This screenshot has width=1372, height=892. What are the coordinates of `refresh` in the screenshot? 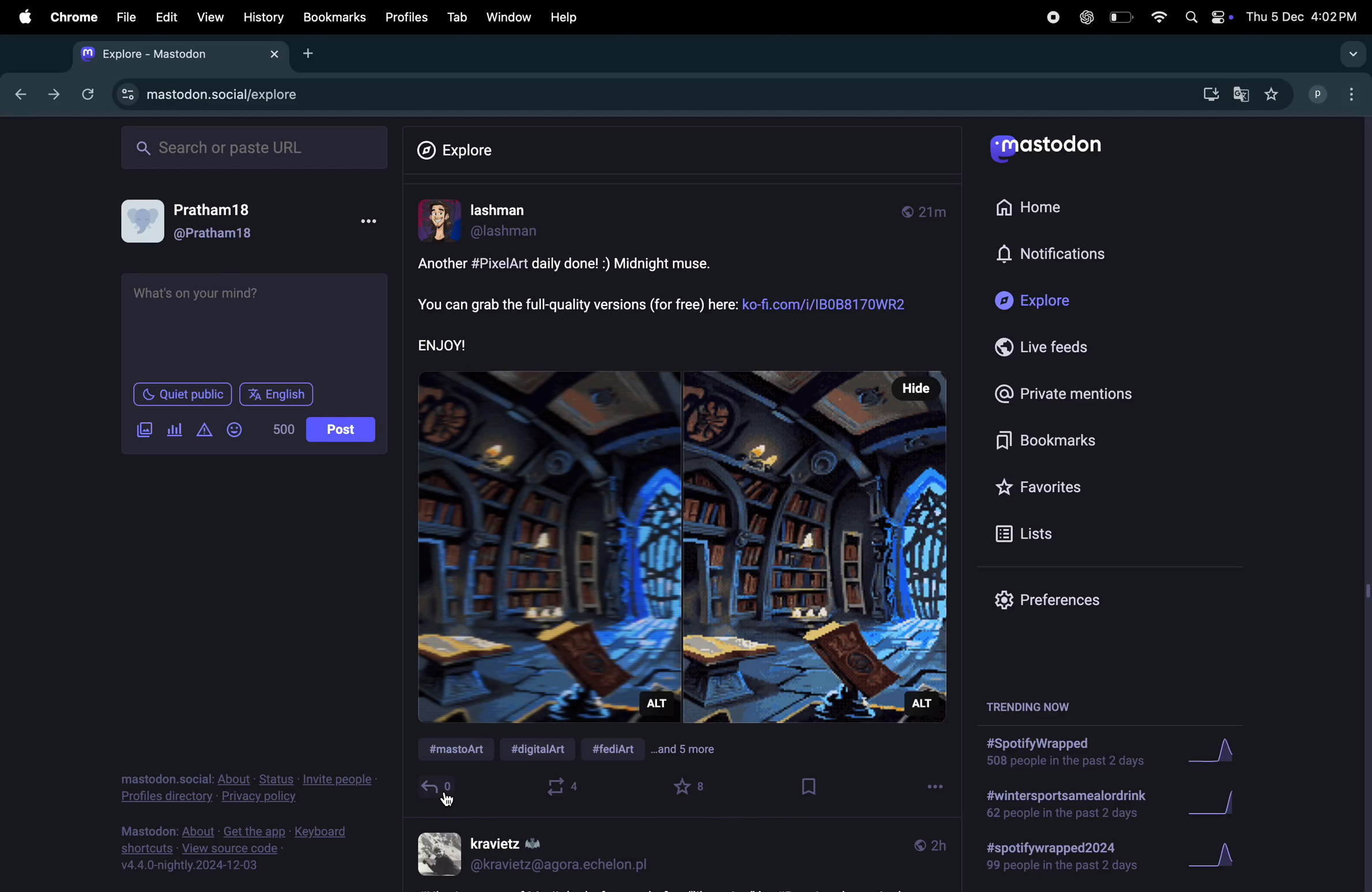 It's located at (89, 95).